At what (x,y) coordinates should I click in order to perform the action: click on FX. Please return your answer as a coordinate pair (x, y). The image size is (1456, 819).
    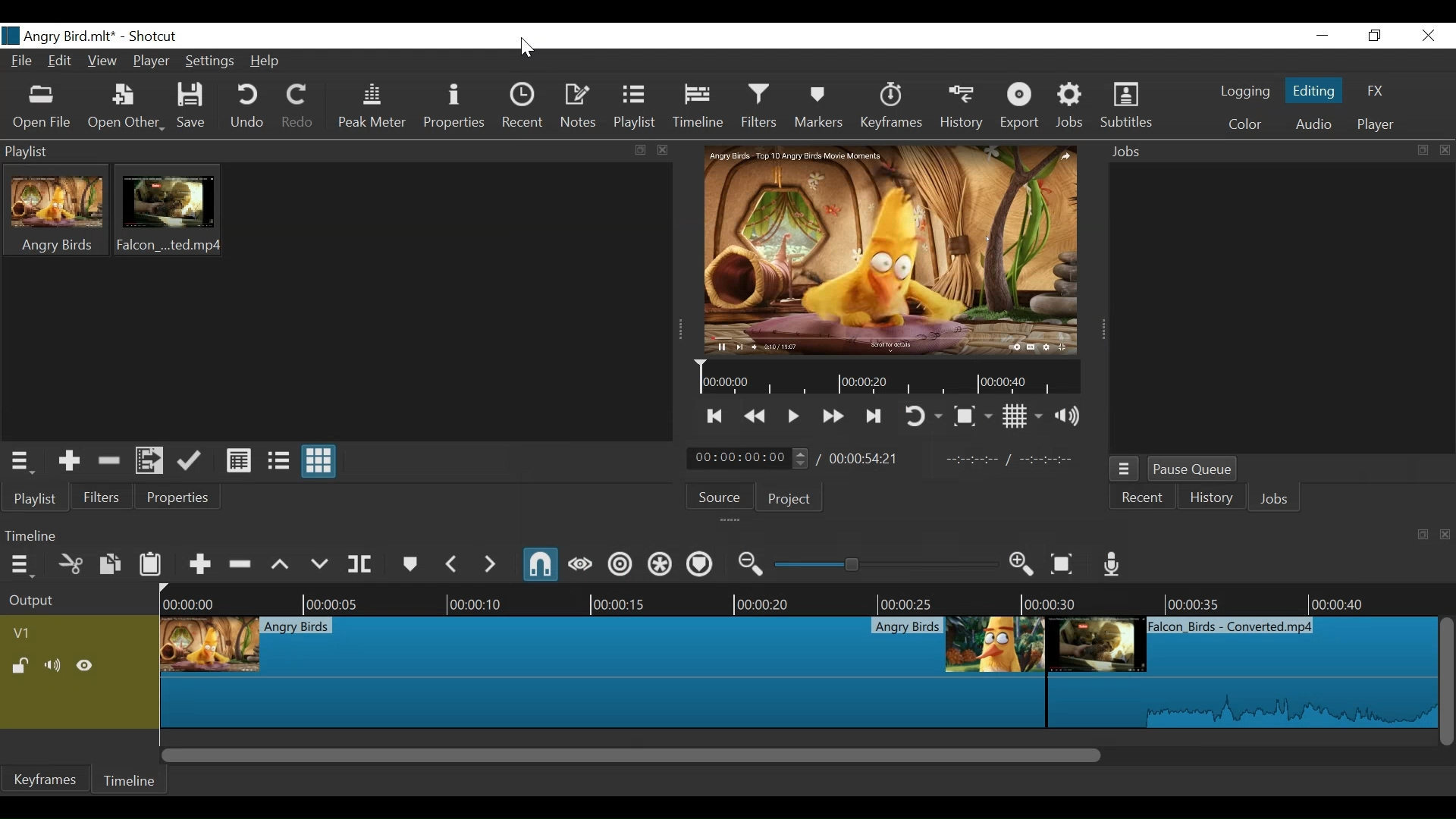
    Looking at the image, I should click on (1378, 89).